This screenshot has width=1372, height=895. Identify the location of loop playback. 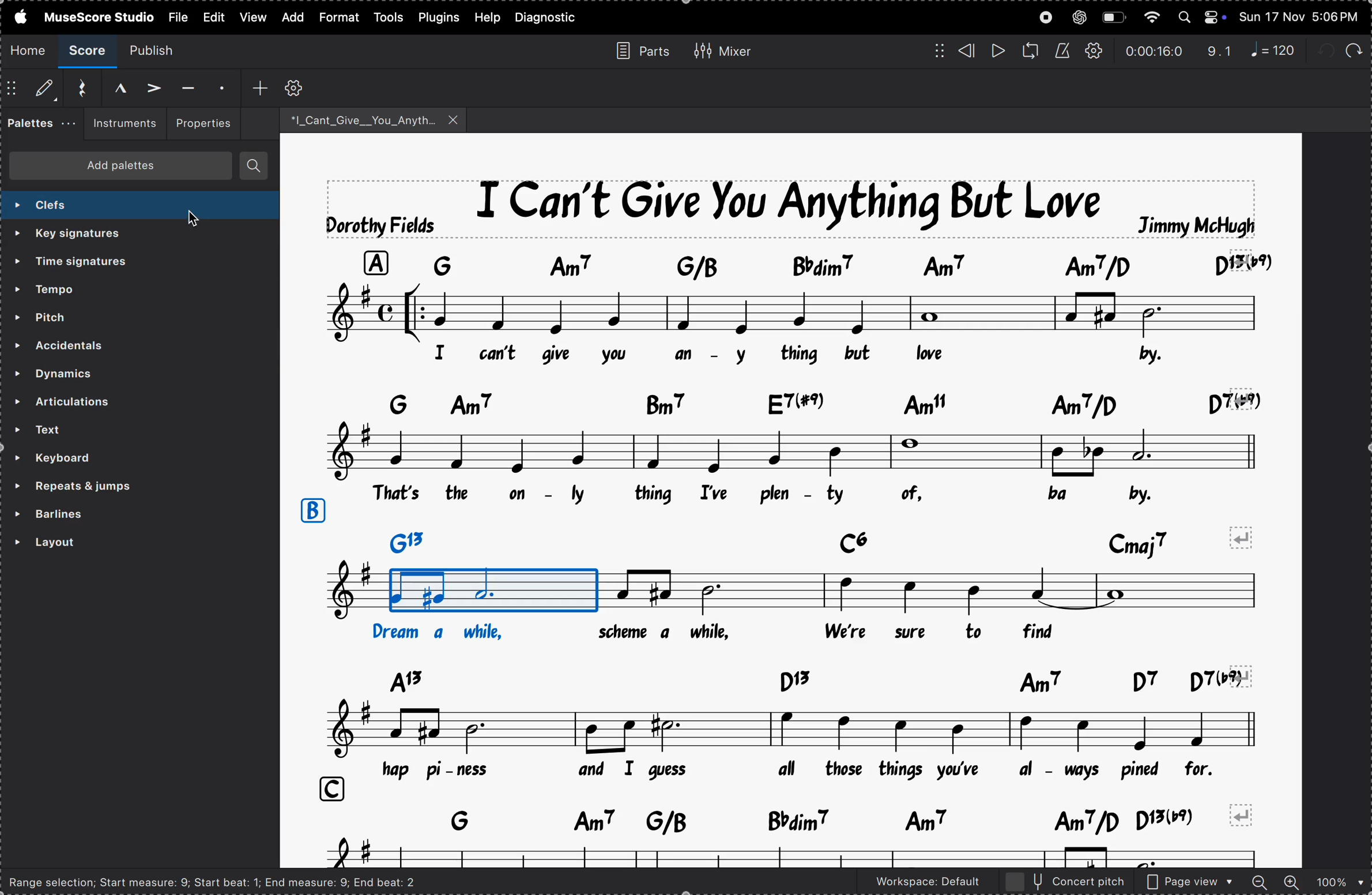
(1030, 51).